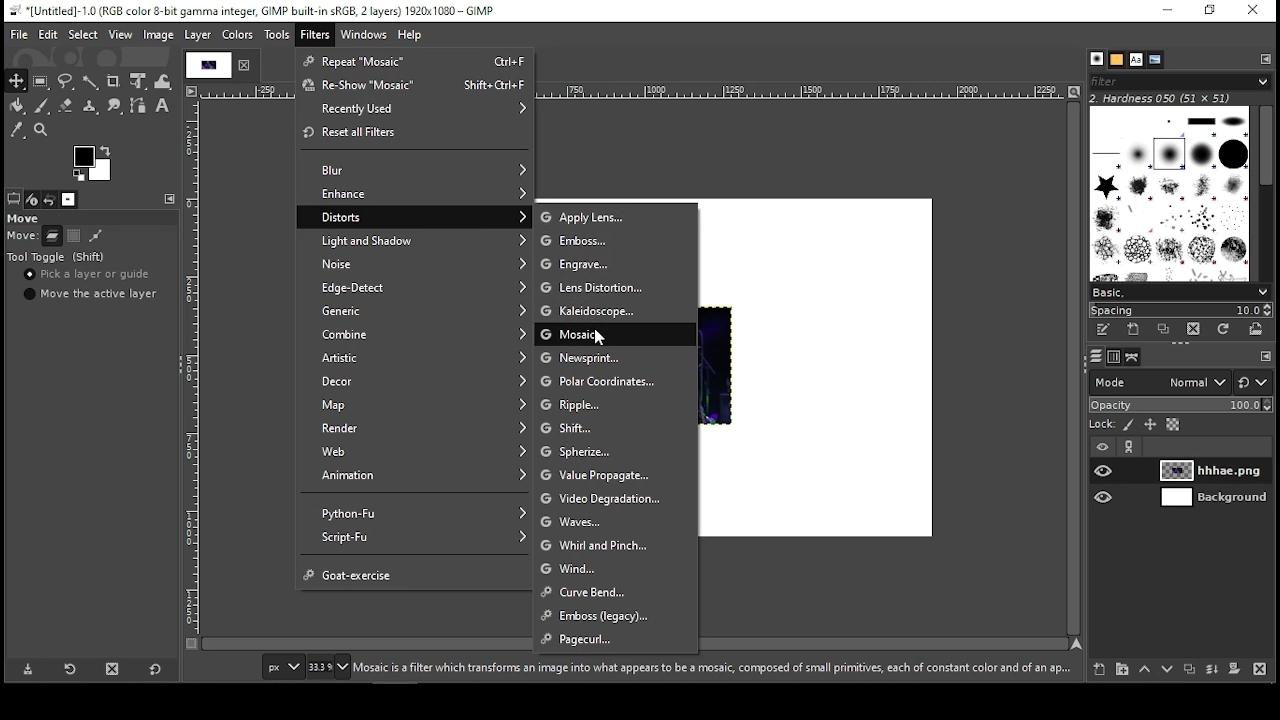 The width and height of the screenshot is (1280, 720). I want to click on paint bucket tool, so click(19, 106).